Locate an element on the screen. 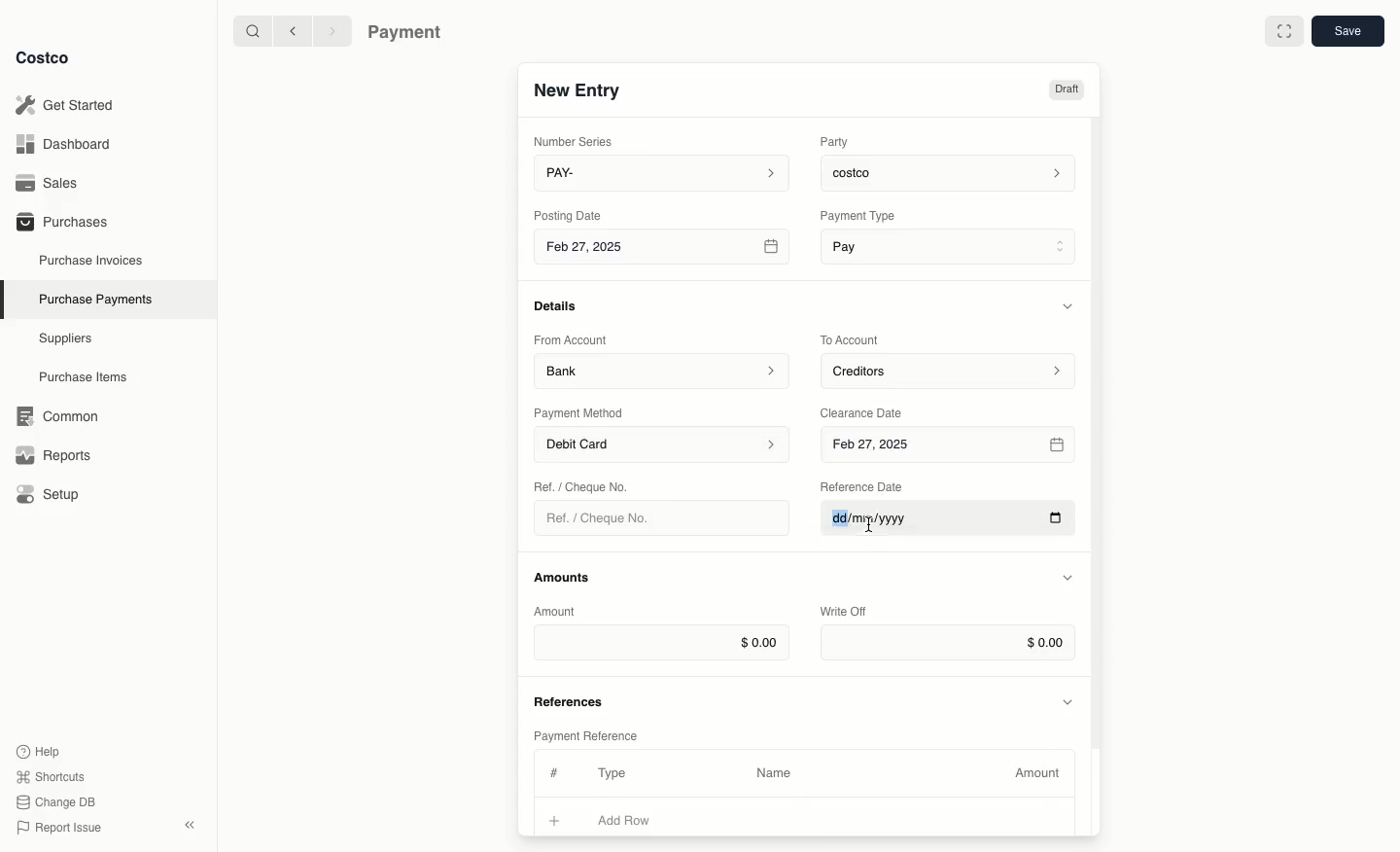 This screenshot has width=1400, height=852. Bank is located at coordinates (662, 370).